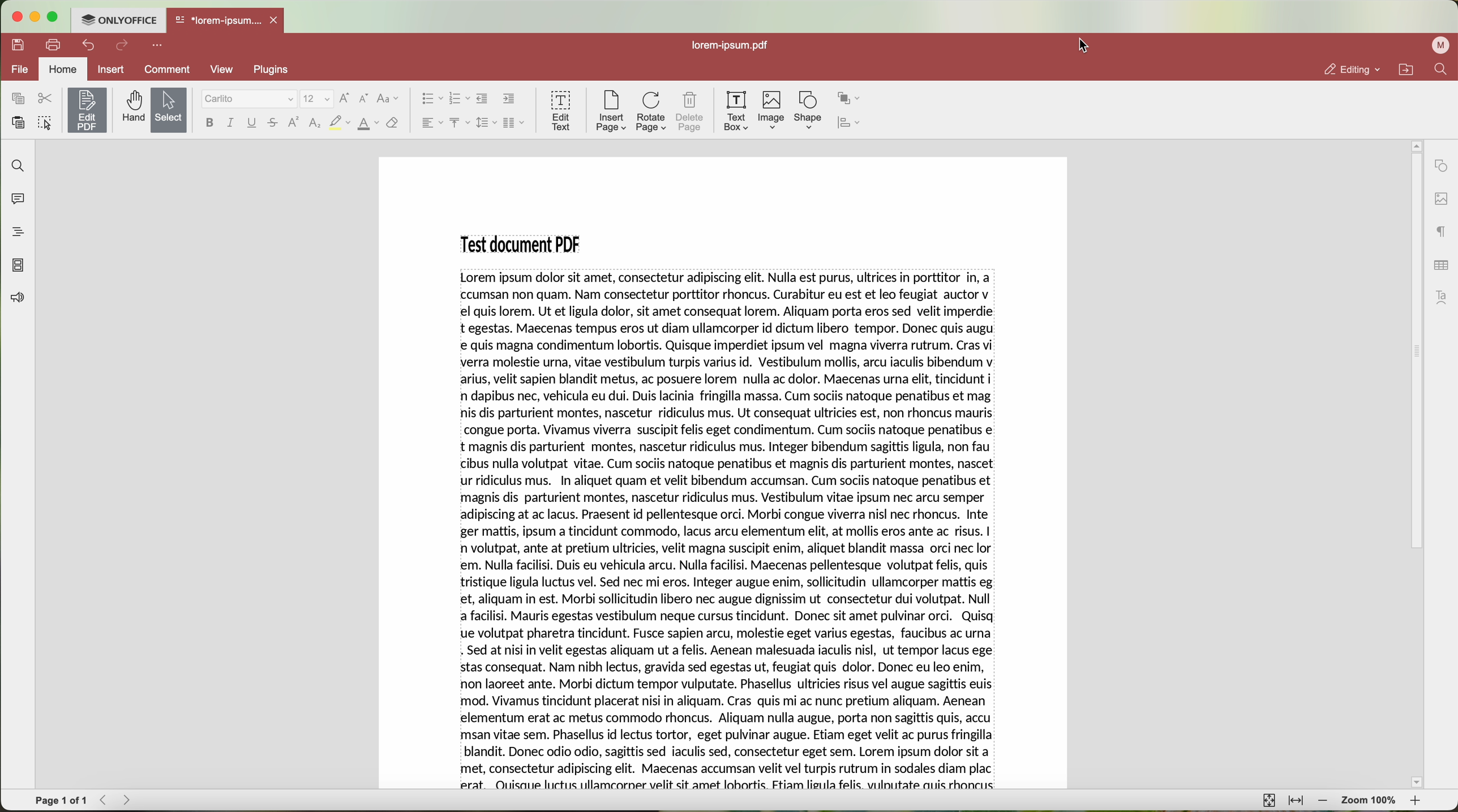  Describe the element at coordinates (1296, 801) in the screenshot. I see `fit to width` at that location.